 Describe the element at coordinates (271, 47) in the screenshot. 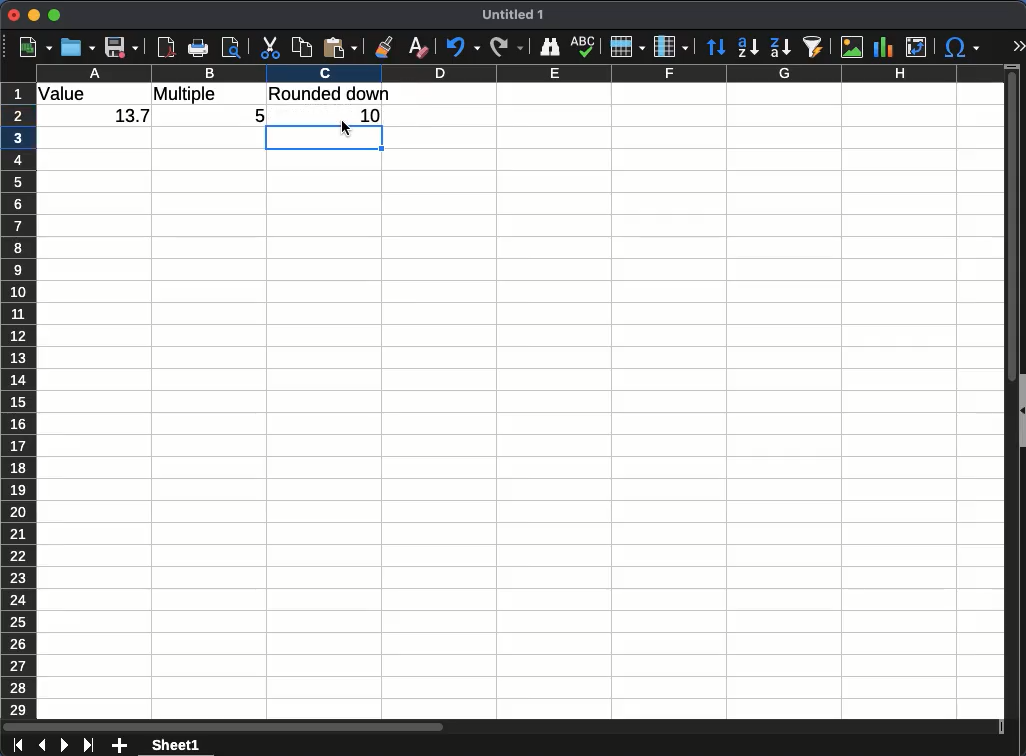

I see `cut` at that location.